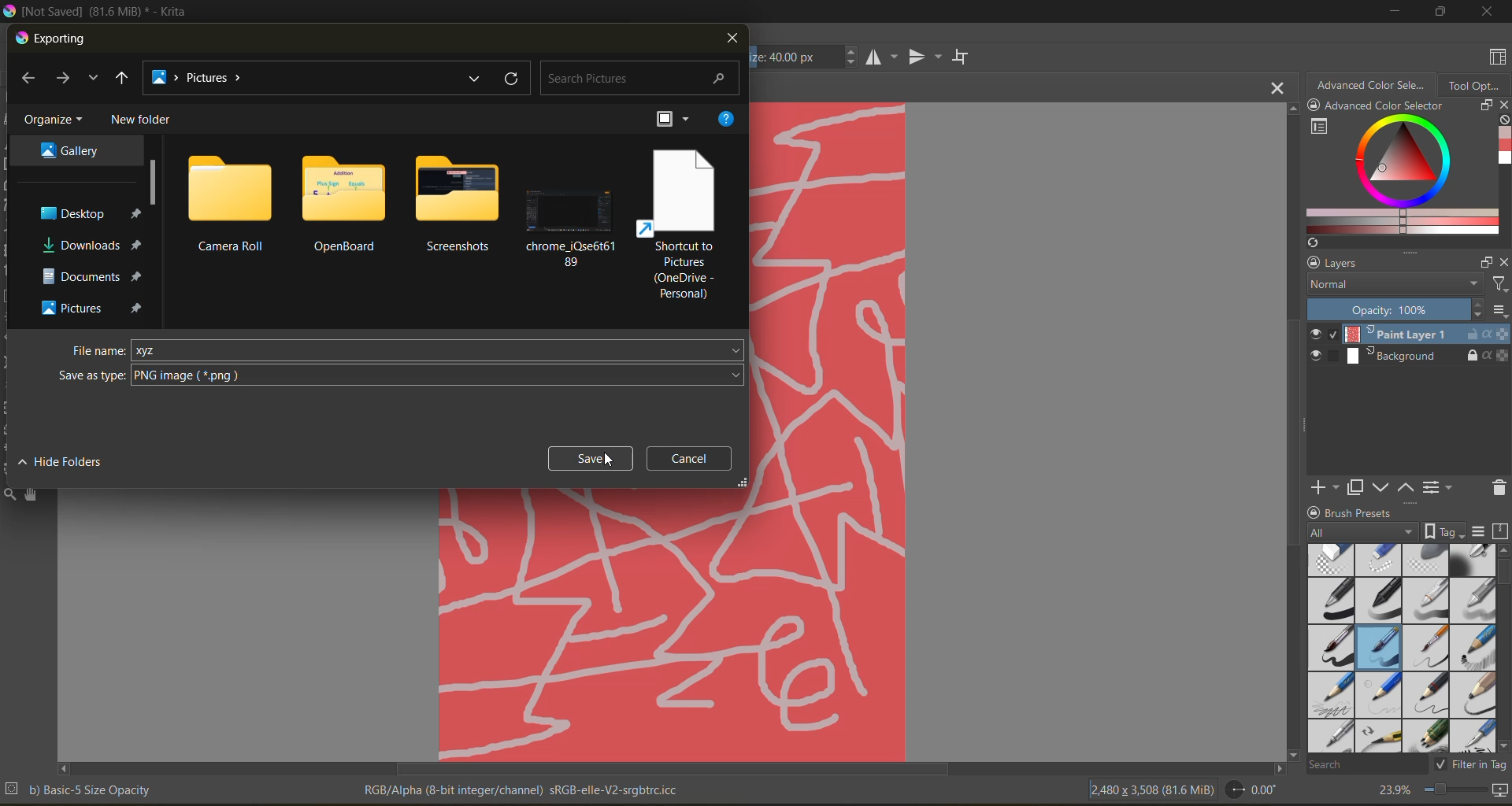  I want to click on maximize, so click(1436, 11).